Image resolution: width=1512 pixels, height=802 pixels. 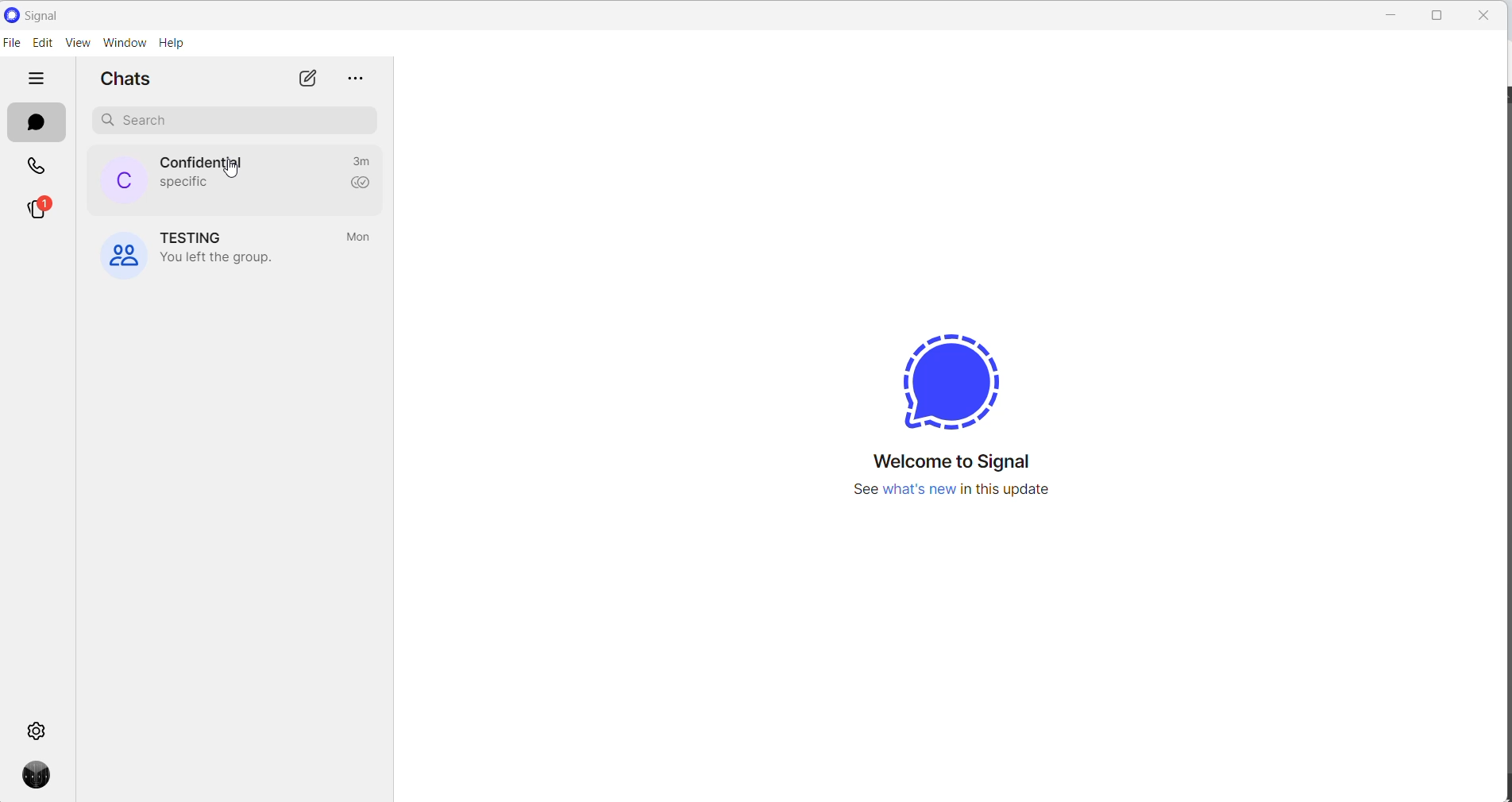 I want to click on chats heading, so click(x=133, y=83).